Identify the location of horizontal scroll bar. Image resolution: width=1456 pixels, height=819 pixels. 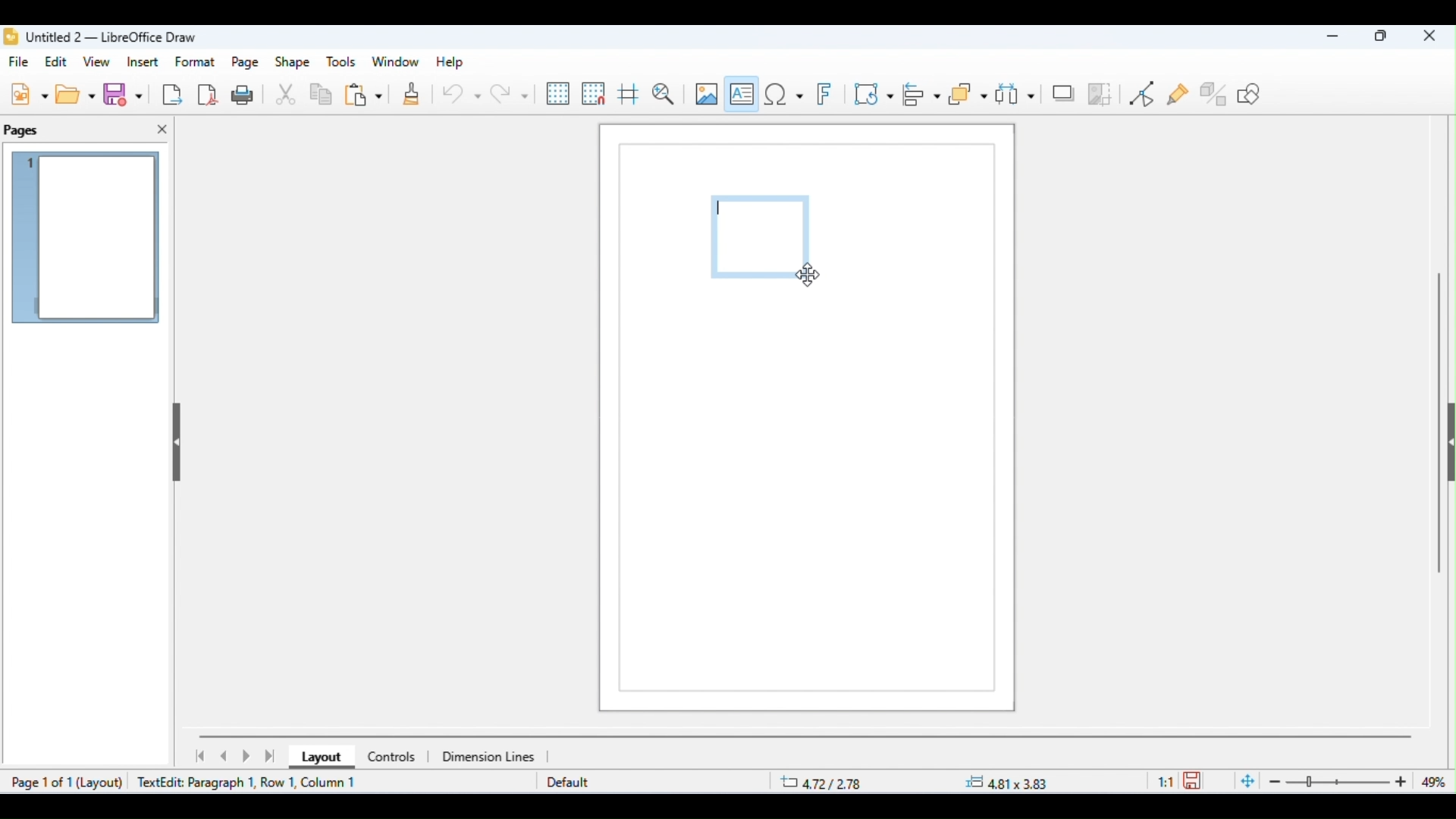
(806, 736).